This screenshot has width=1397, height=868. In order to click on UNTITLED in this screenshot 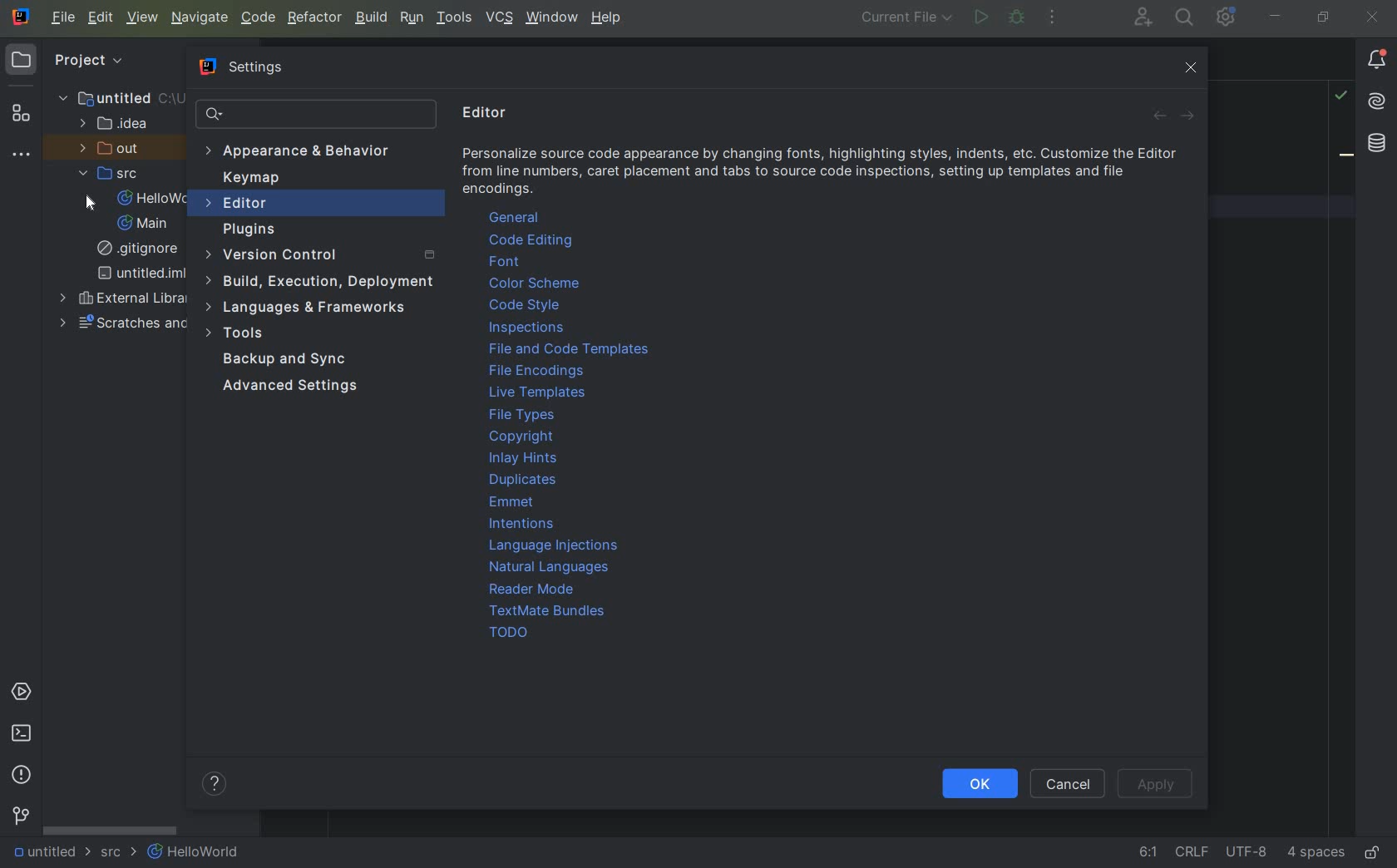, I will do `click(51, 853)`.